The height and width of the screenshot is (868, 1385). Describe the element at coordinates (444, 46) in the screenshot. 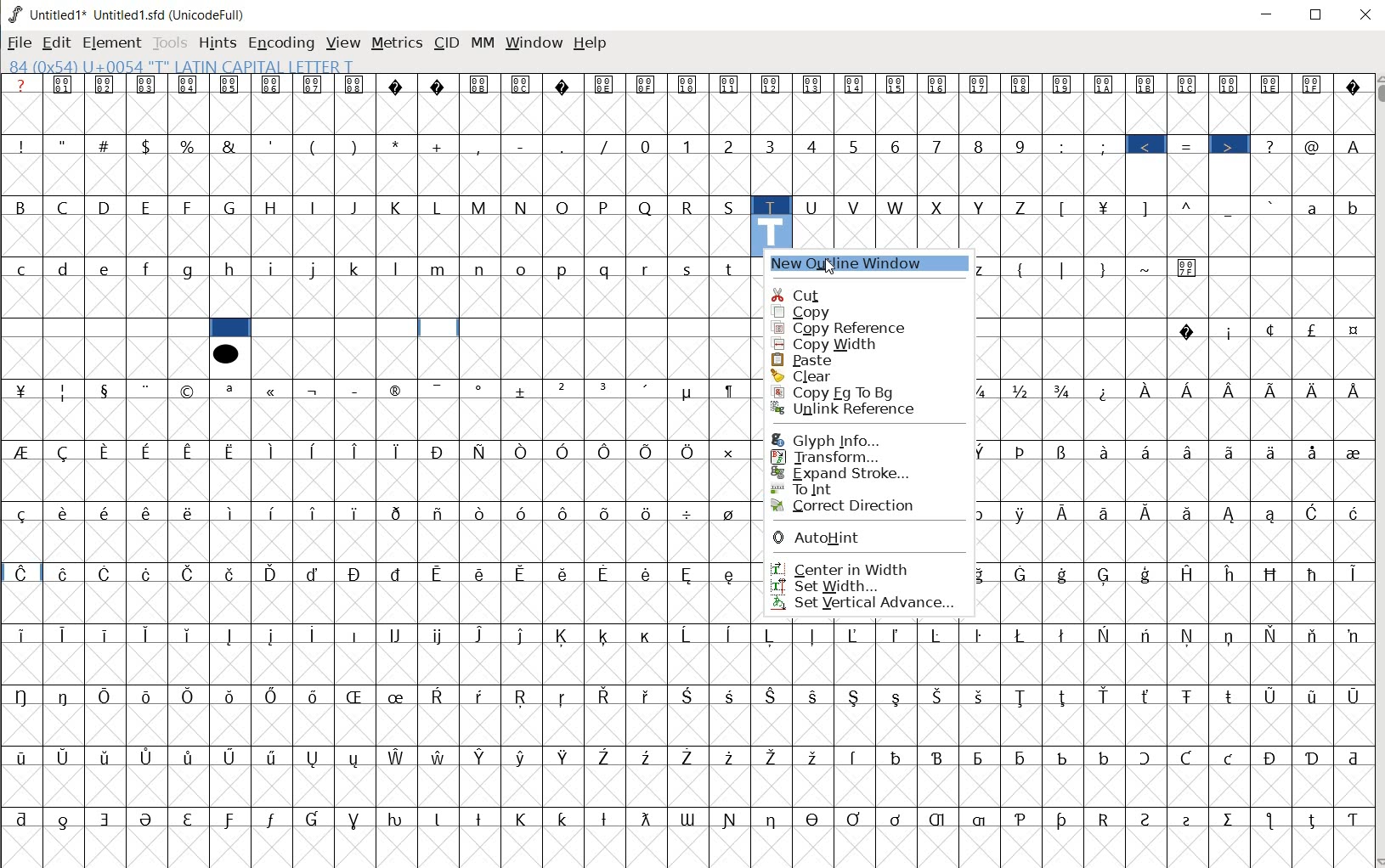

I see `cid` at that location.